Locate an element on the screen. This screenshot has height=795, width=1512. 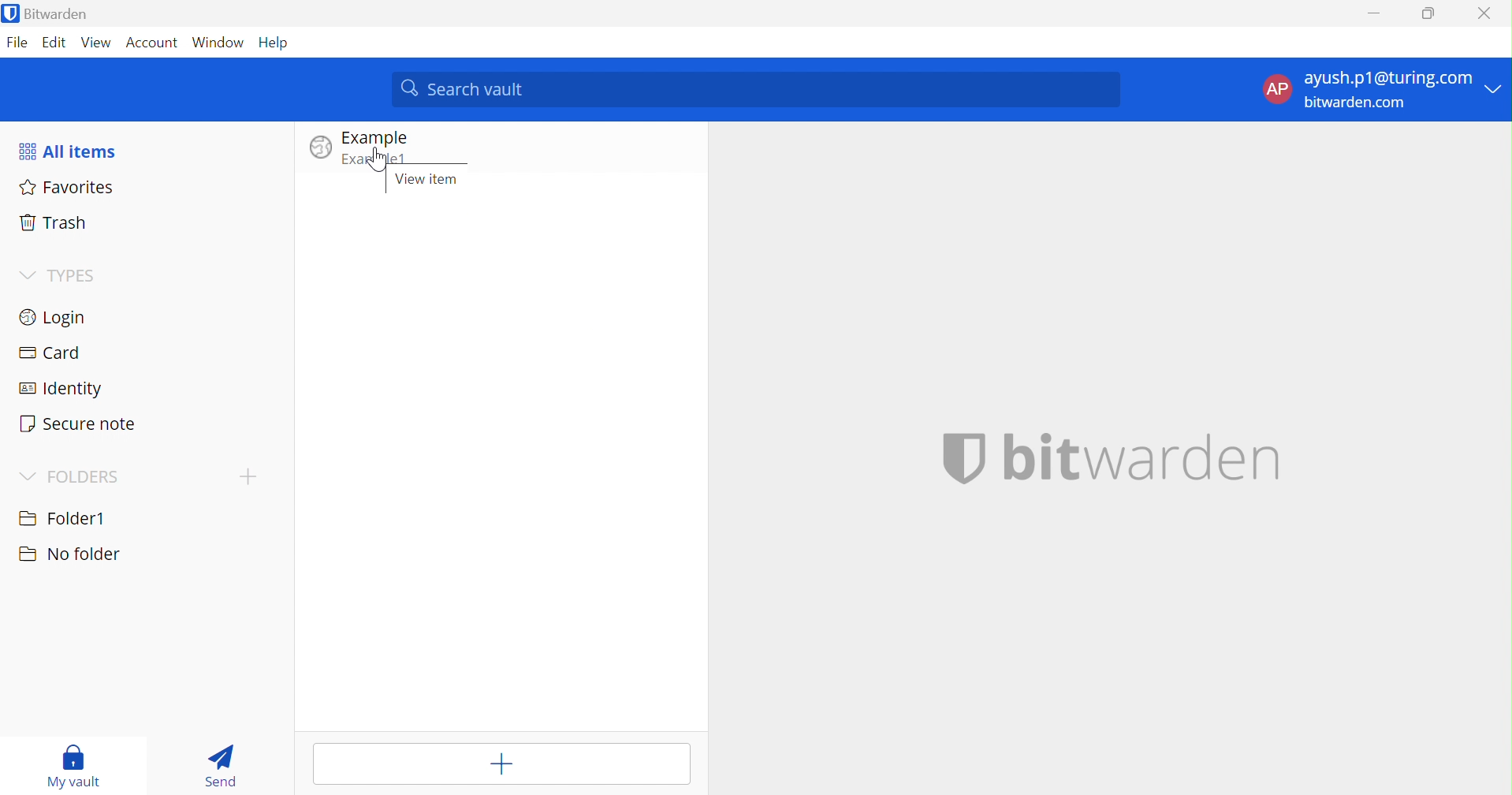
Send is located at coordinates (220, 766).